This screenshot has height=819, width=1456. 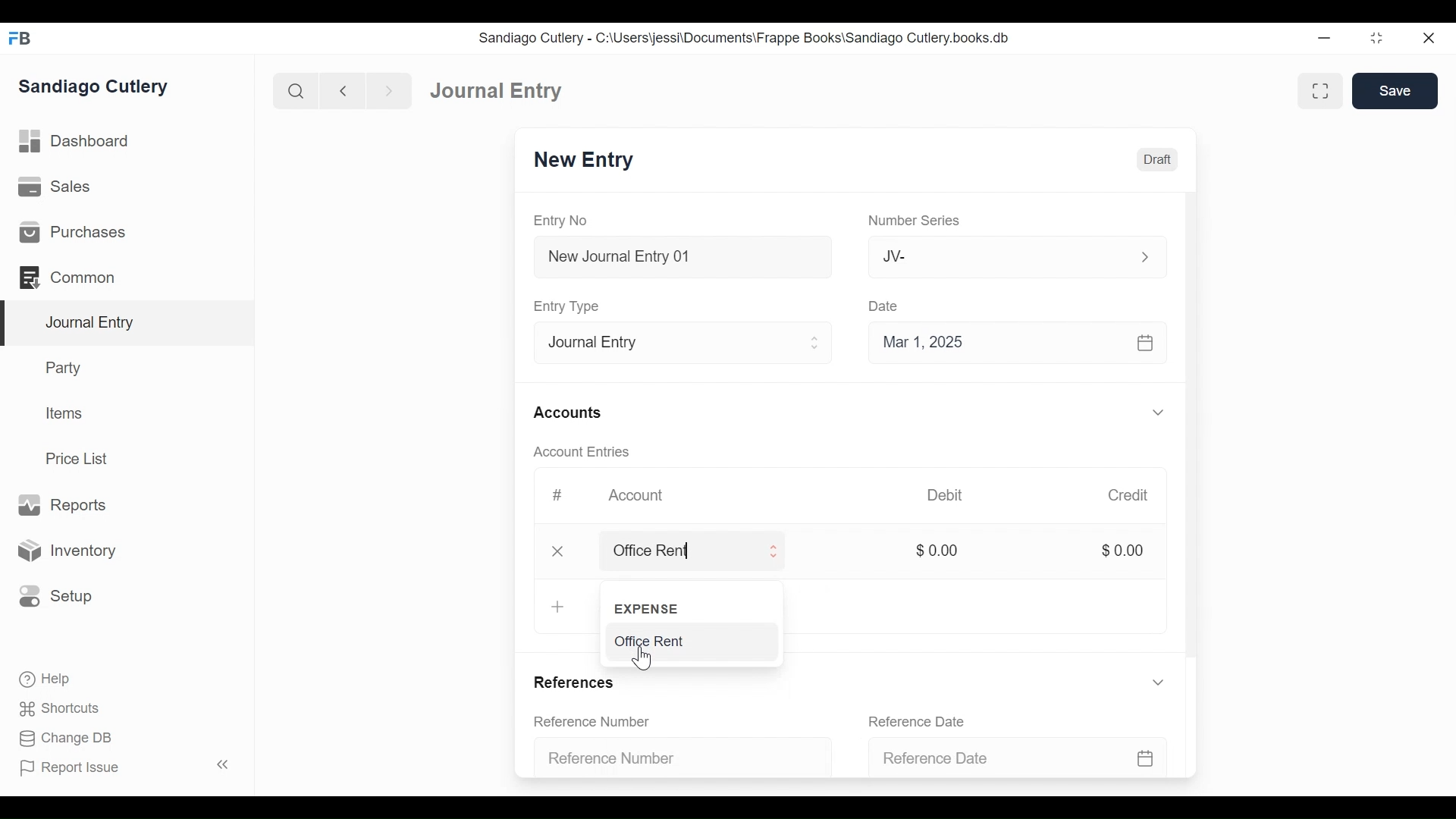 I want to click on Number Series, so click(x=912, y=221).